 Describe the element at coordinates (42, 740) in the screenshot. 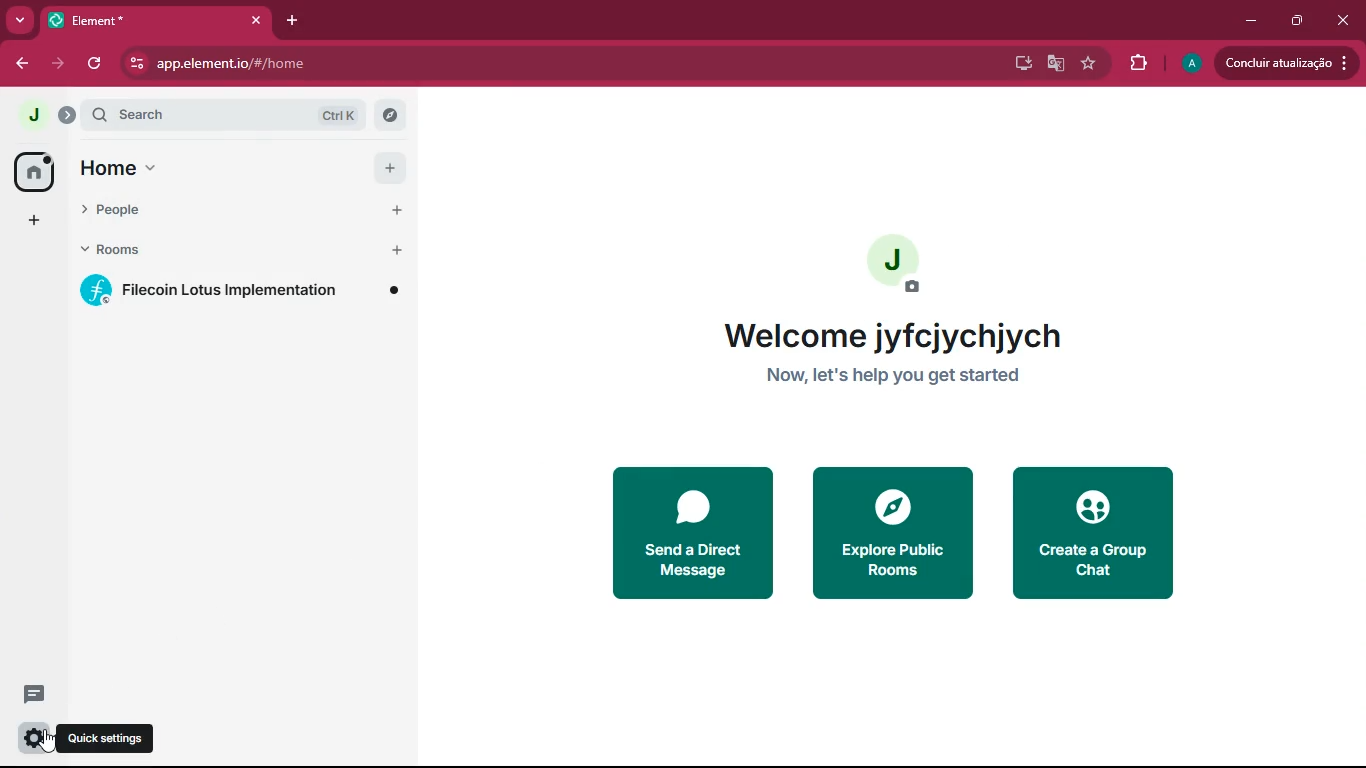

I see `cursor` at that location.